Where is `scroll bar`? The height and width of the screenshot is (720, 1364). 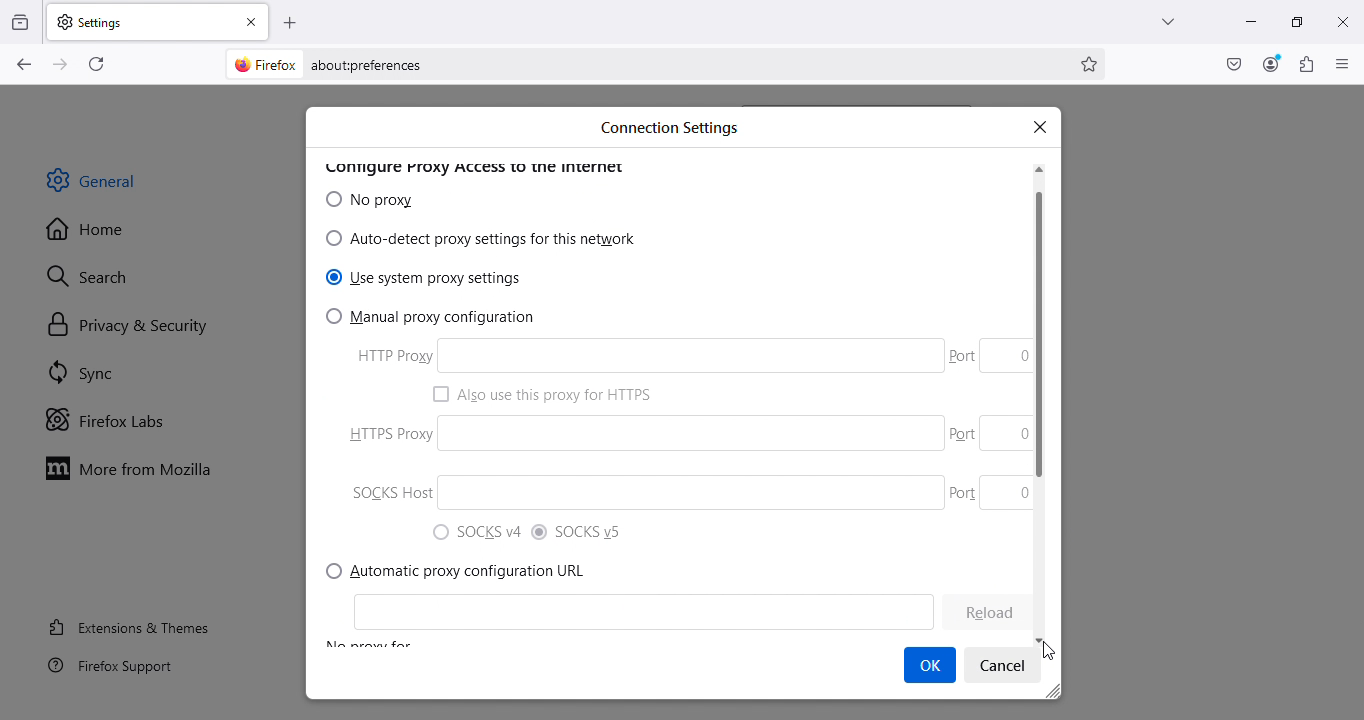 scroll bar is located at coordinates (1051, 344).